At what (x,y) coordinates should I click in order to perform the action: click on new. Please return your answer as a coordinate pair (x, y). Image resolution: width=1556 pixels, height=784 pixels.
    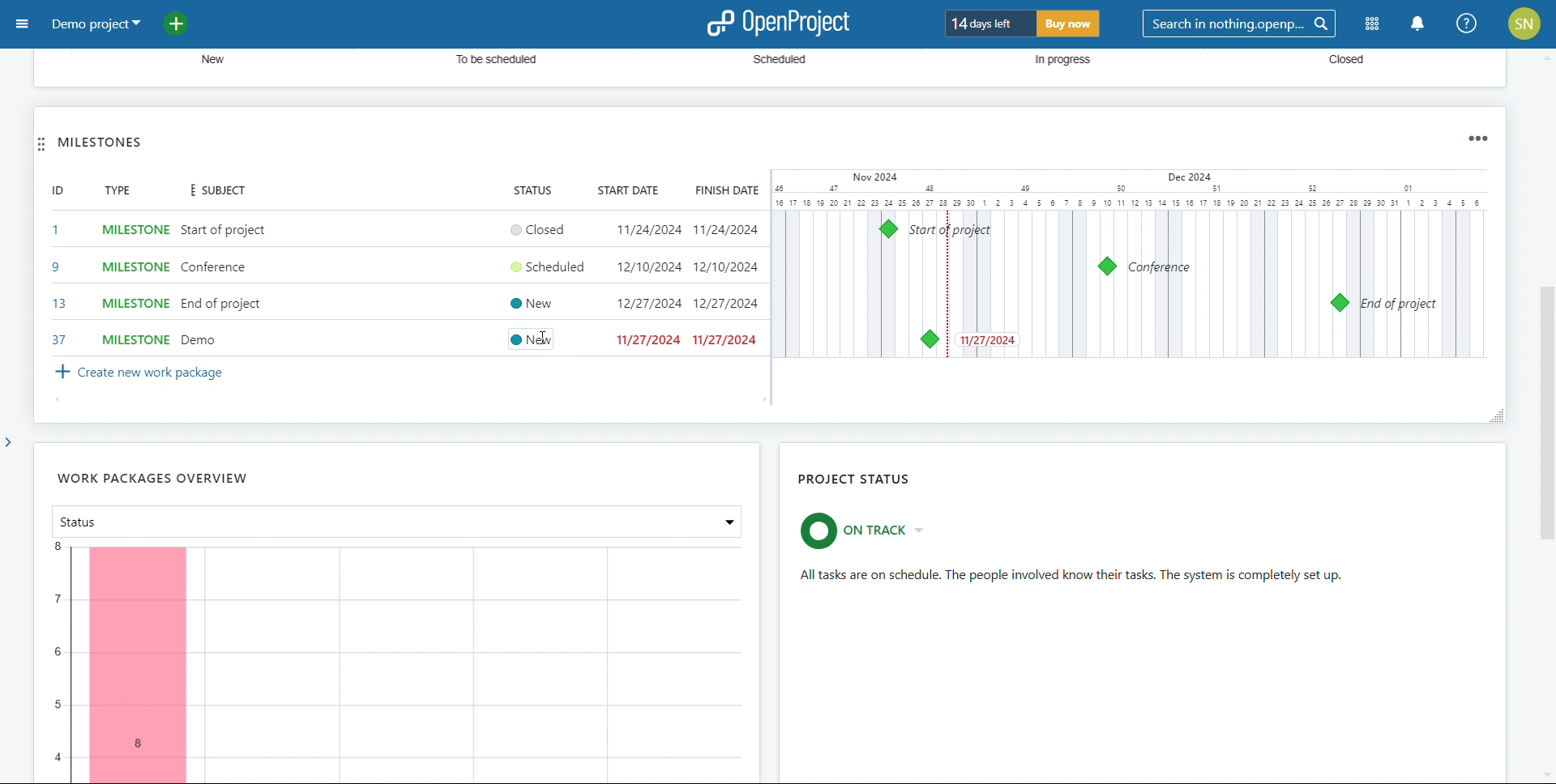
    Looking at the image, I should click on (207, 60).